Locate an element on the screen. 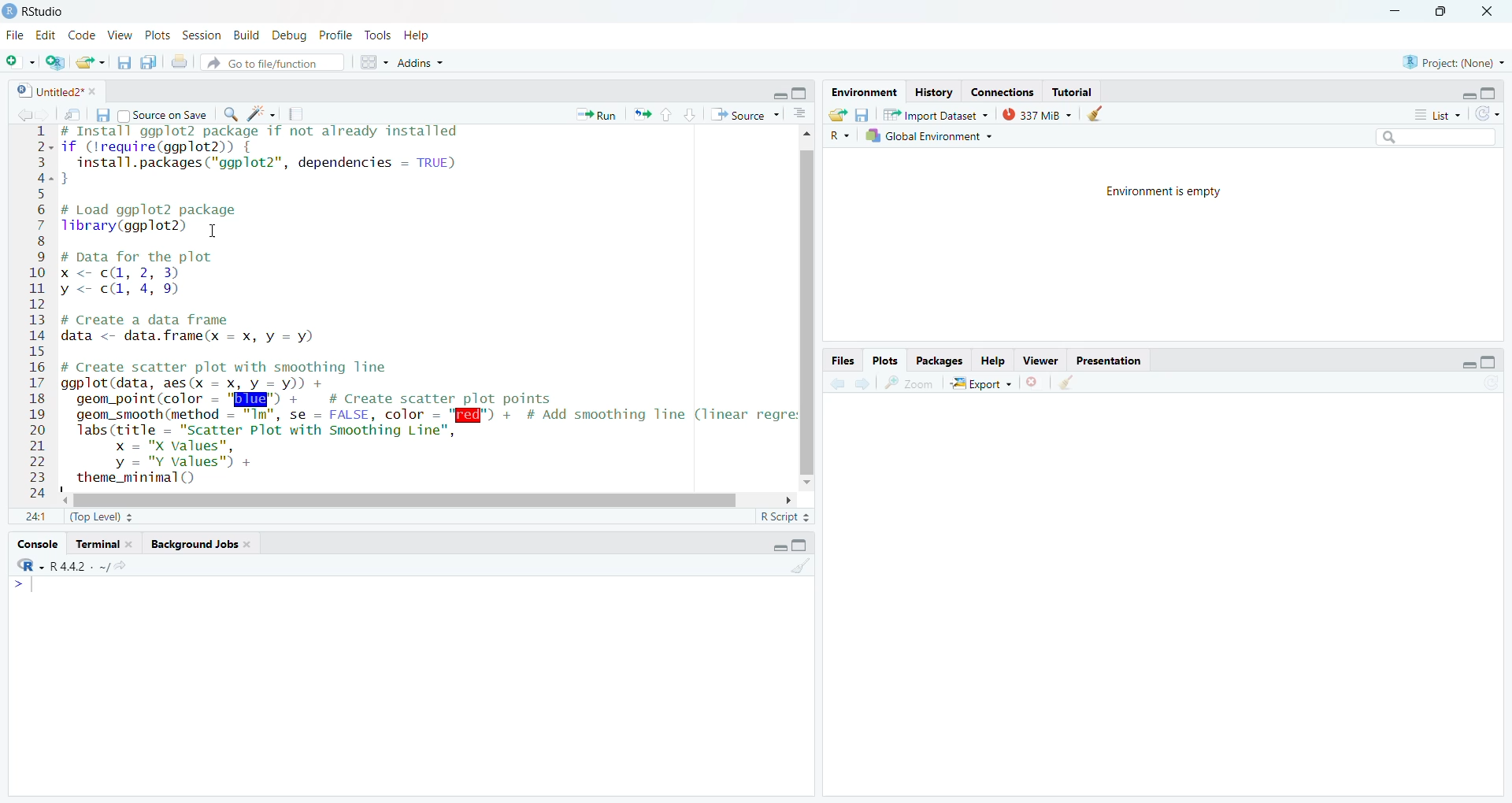 The width and height of the screenshot is (1512, 803). Presentation is located at coordinates (1114, 362).